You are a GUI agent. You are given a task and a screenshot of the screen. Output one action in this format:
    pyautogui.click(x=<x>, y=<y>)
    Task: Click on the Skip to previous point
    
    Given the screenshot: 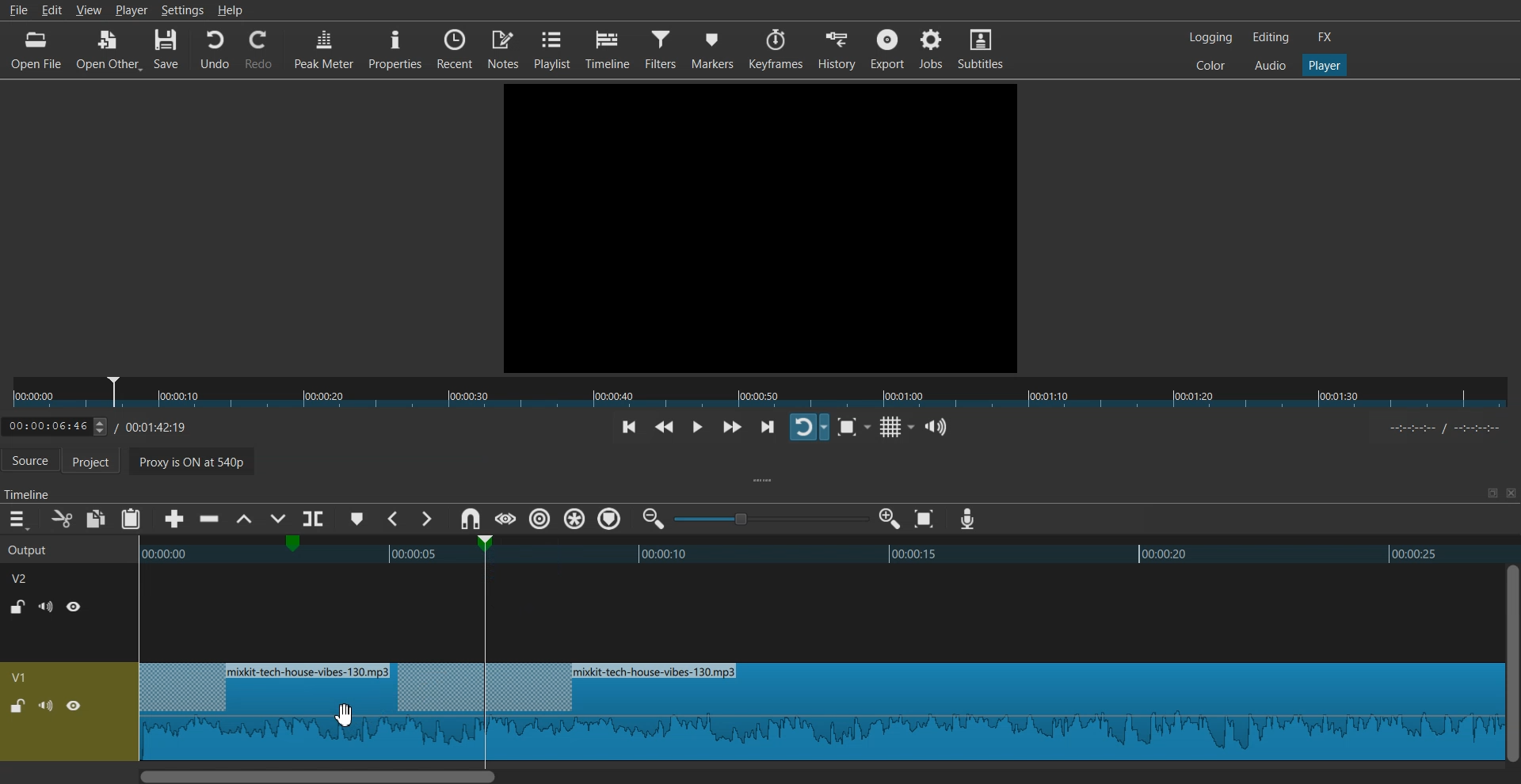 What is the action you would take?
    pyautogui.click(x=629, y=428)
    